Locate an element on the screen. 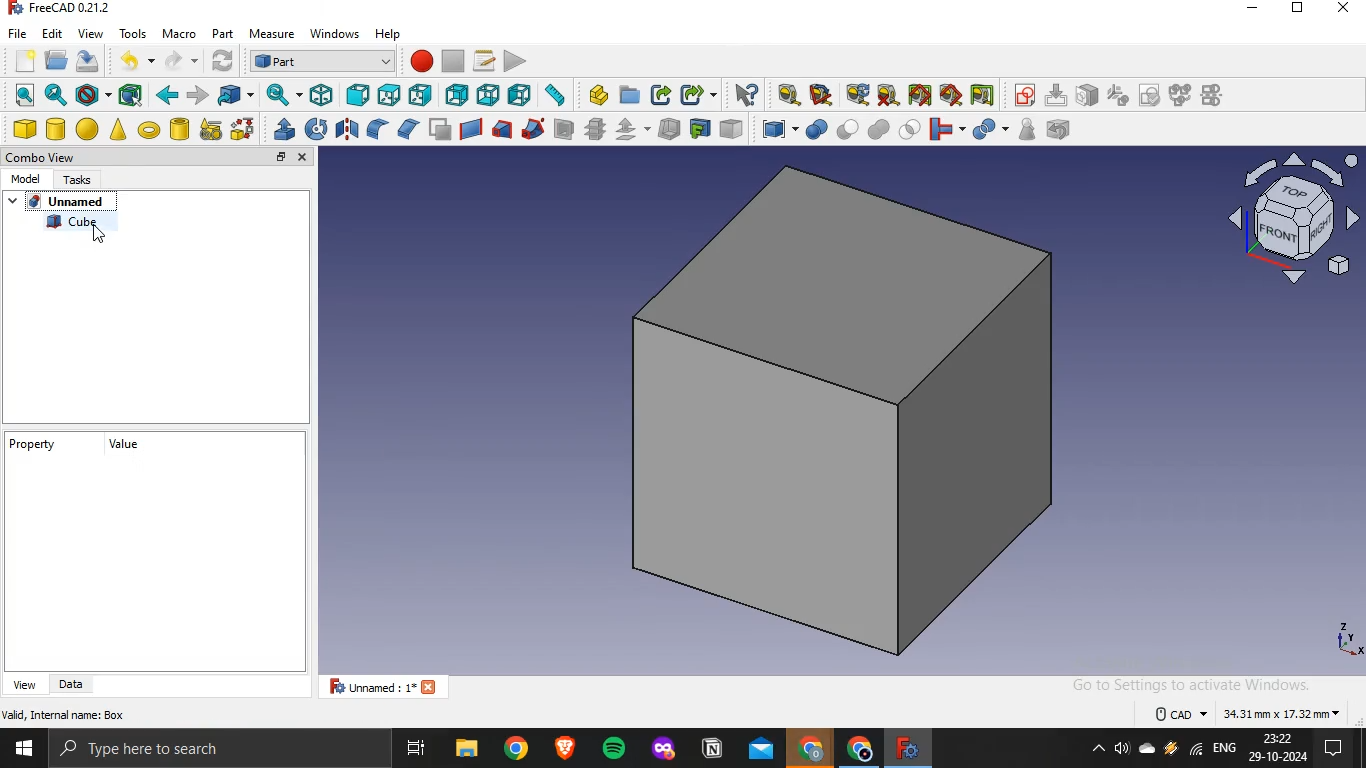  bounding box is located at coordinates (131, 95).